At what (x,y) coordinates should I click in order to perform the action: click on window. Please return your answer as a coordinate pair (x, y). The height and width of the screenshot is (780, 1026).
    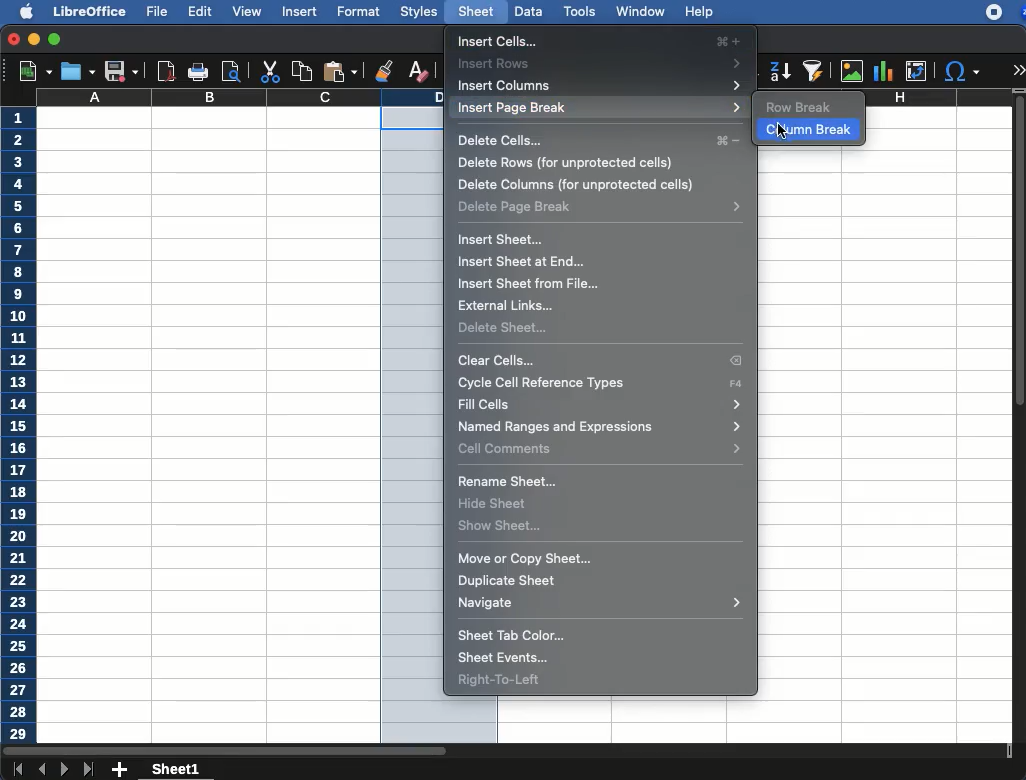
    Looking at the image, I should click on (639, 11).